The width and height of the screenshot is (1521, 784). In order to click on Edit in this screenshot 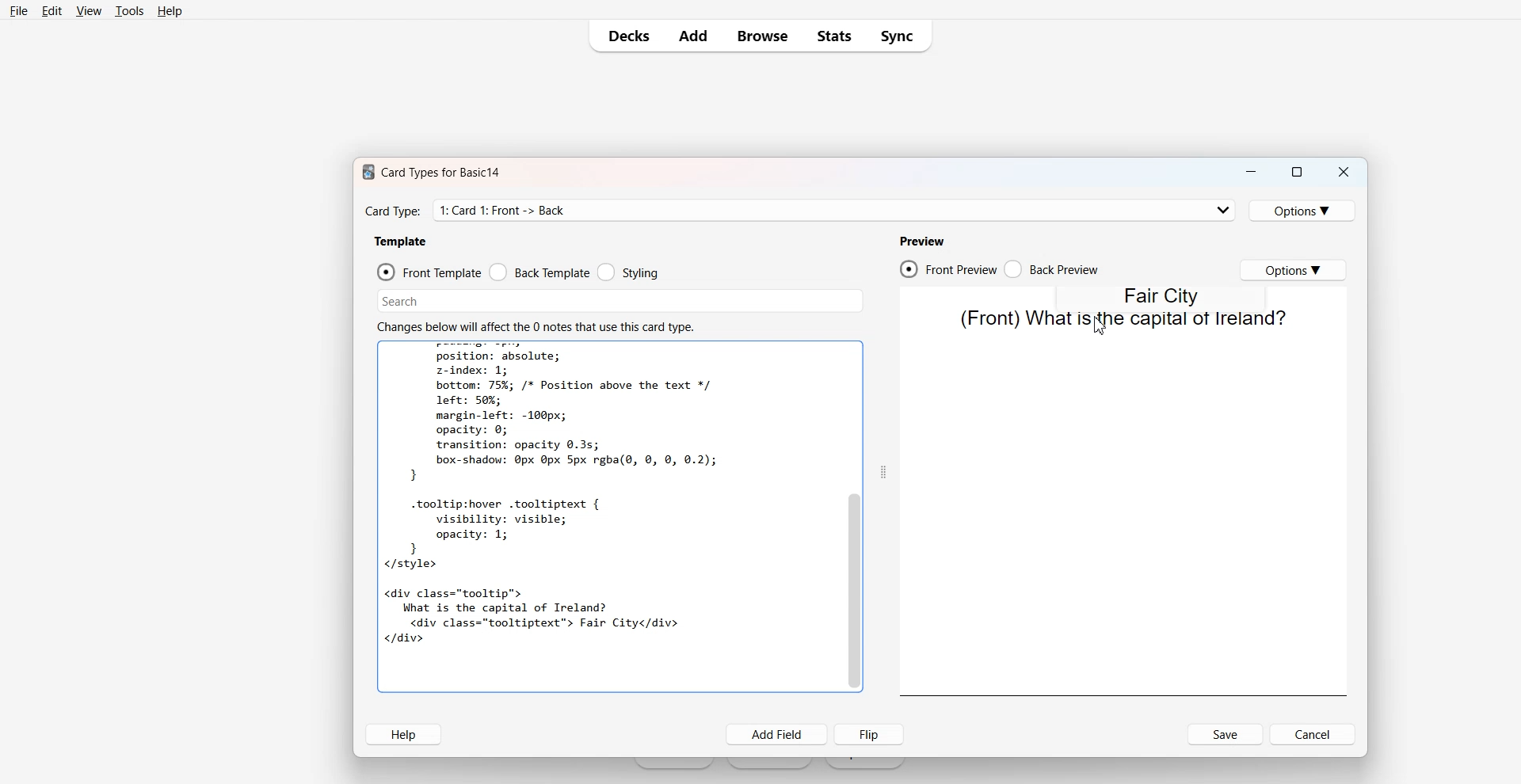, I will do `click(51, 11)`.